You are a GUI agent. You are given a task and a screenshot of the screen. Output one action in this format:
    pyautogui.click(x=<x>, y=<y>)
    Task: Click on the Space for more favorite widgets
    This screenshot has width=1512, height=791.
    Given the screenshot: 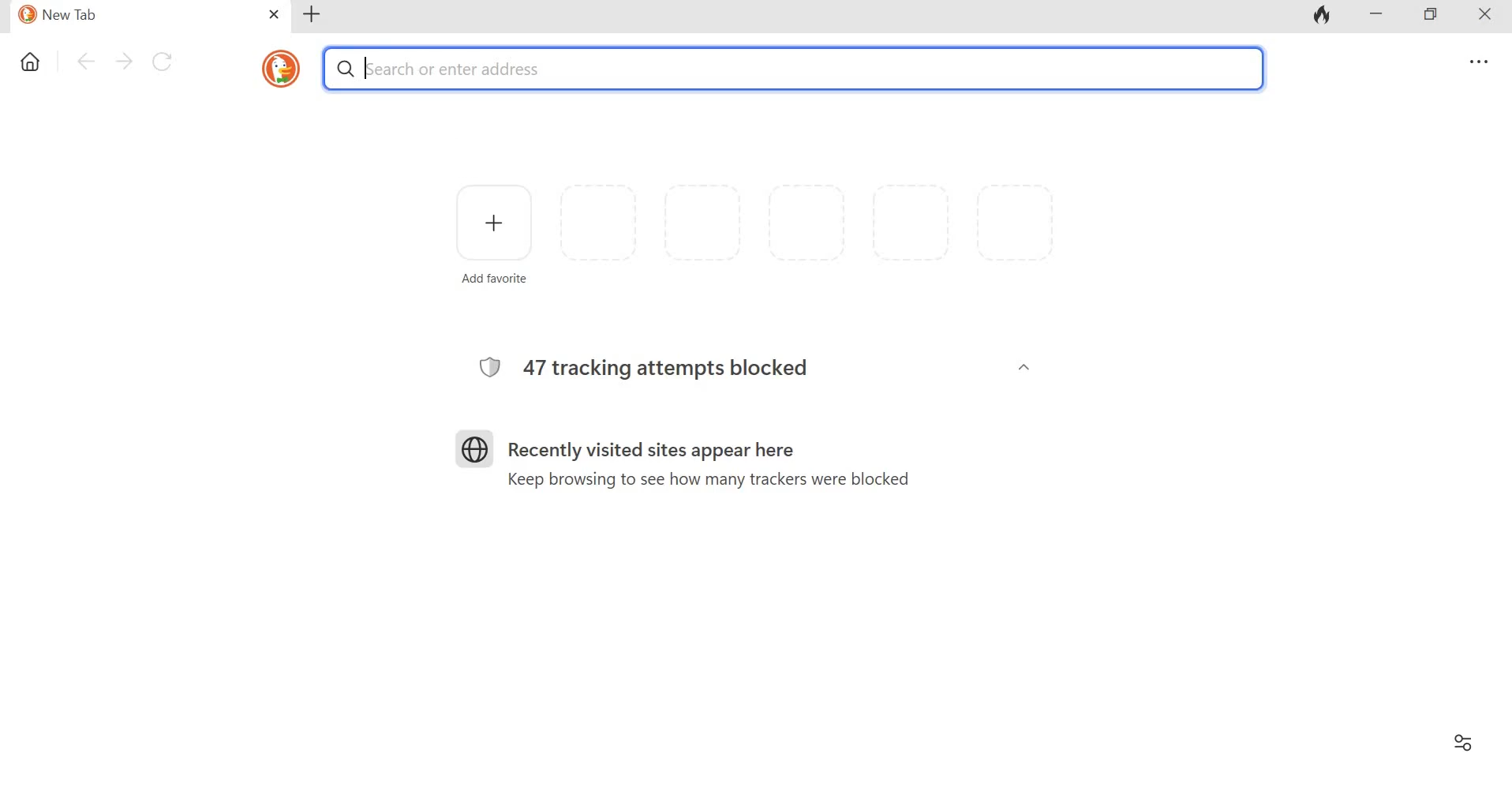 What is the action you would take?
    pyautogui.click(x=807, y=223)
    